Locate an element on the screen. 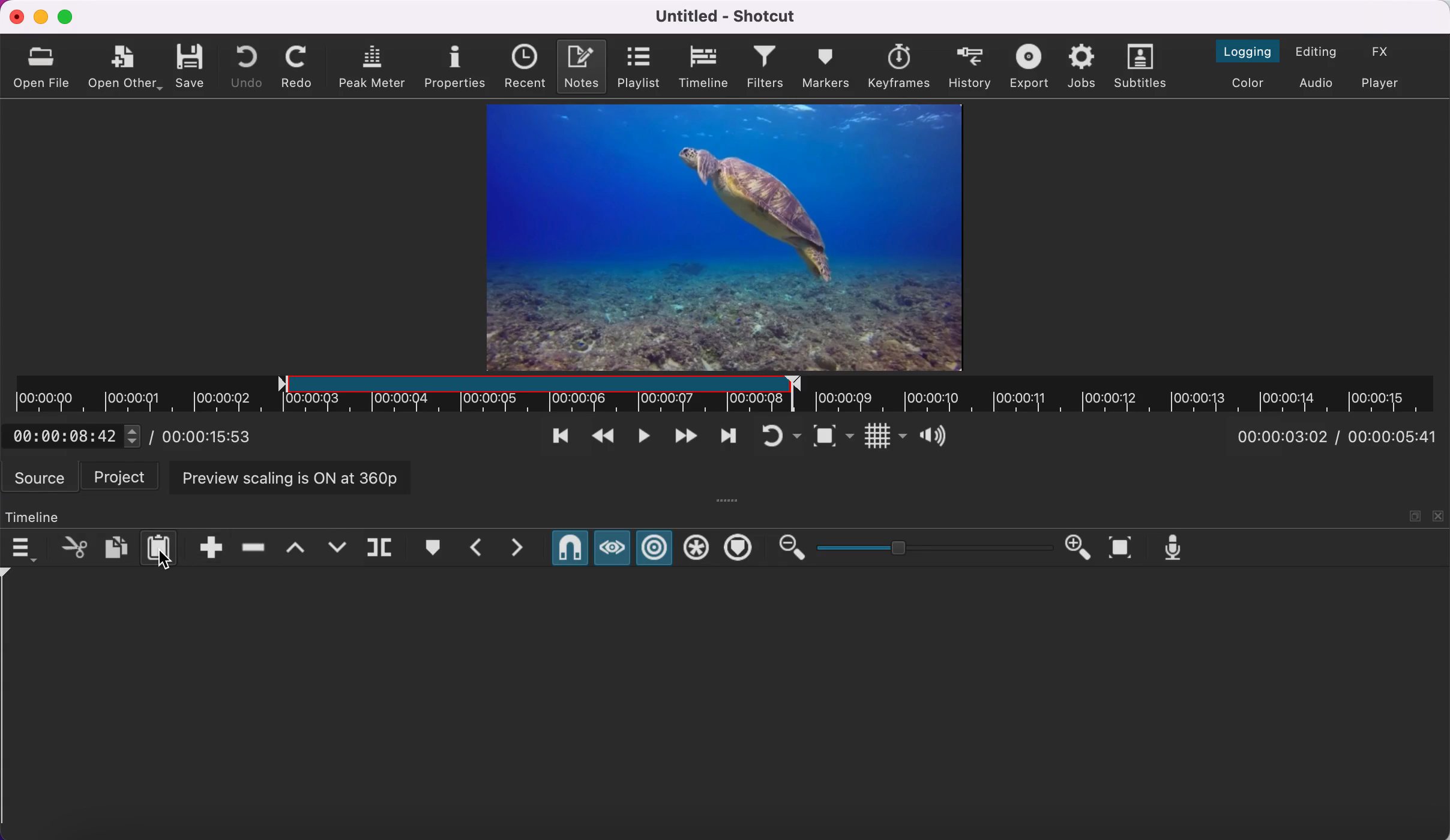 Image resolution: width=1450 pixels, height=840 pixels. cursor is located at coordinates (170, 562).